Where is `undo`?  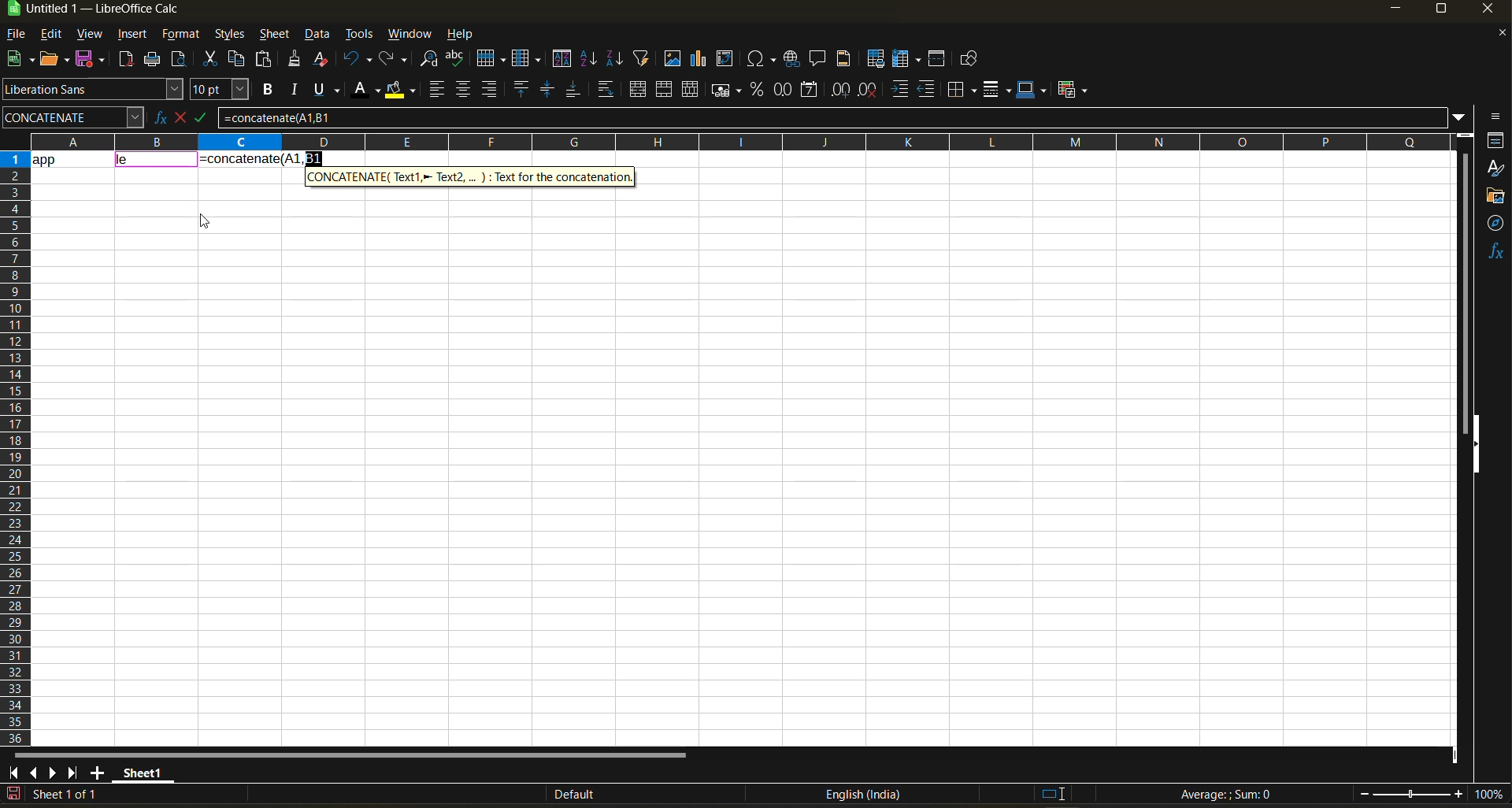
undo is located at coordinates (358, 59).